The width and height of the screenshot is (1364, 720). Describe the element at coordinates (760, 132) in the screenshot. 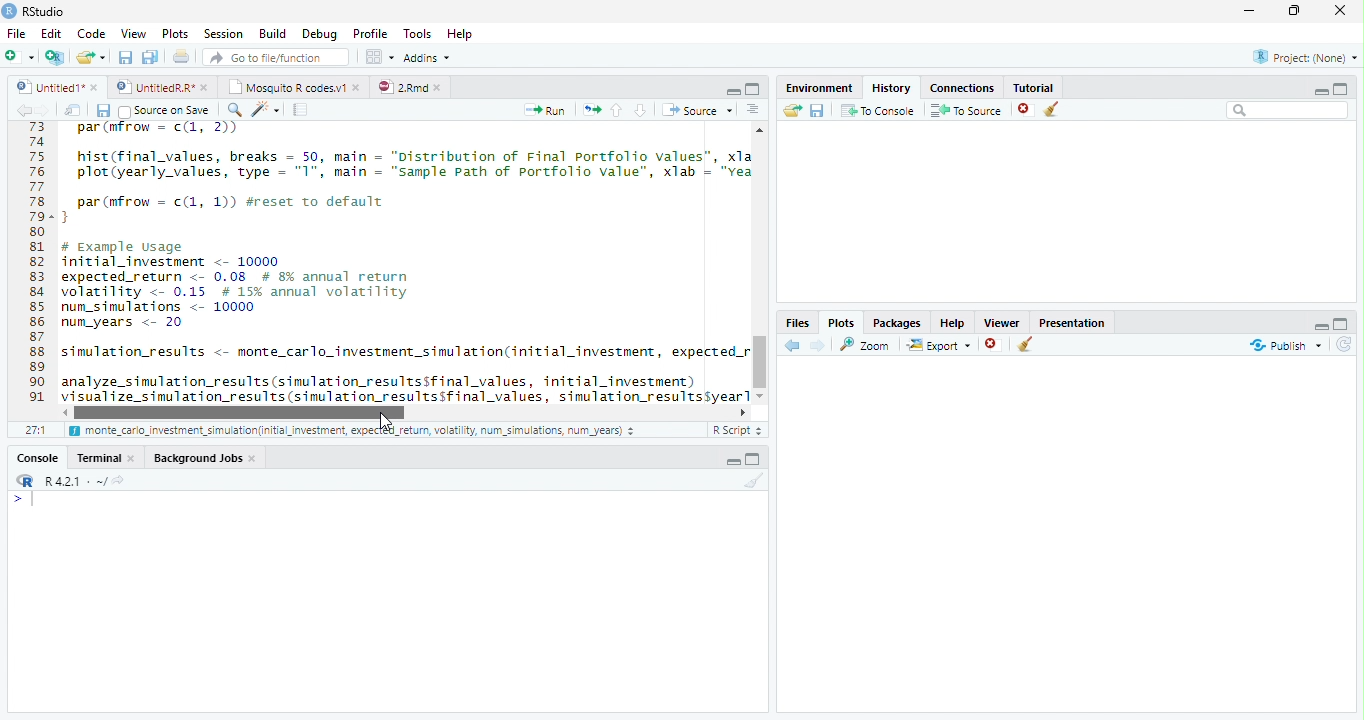

I see `Scroll Up` at that location.